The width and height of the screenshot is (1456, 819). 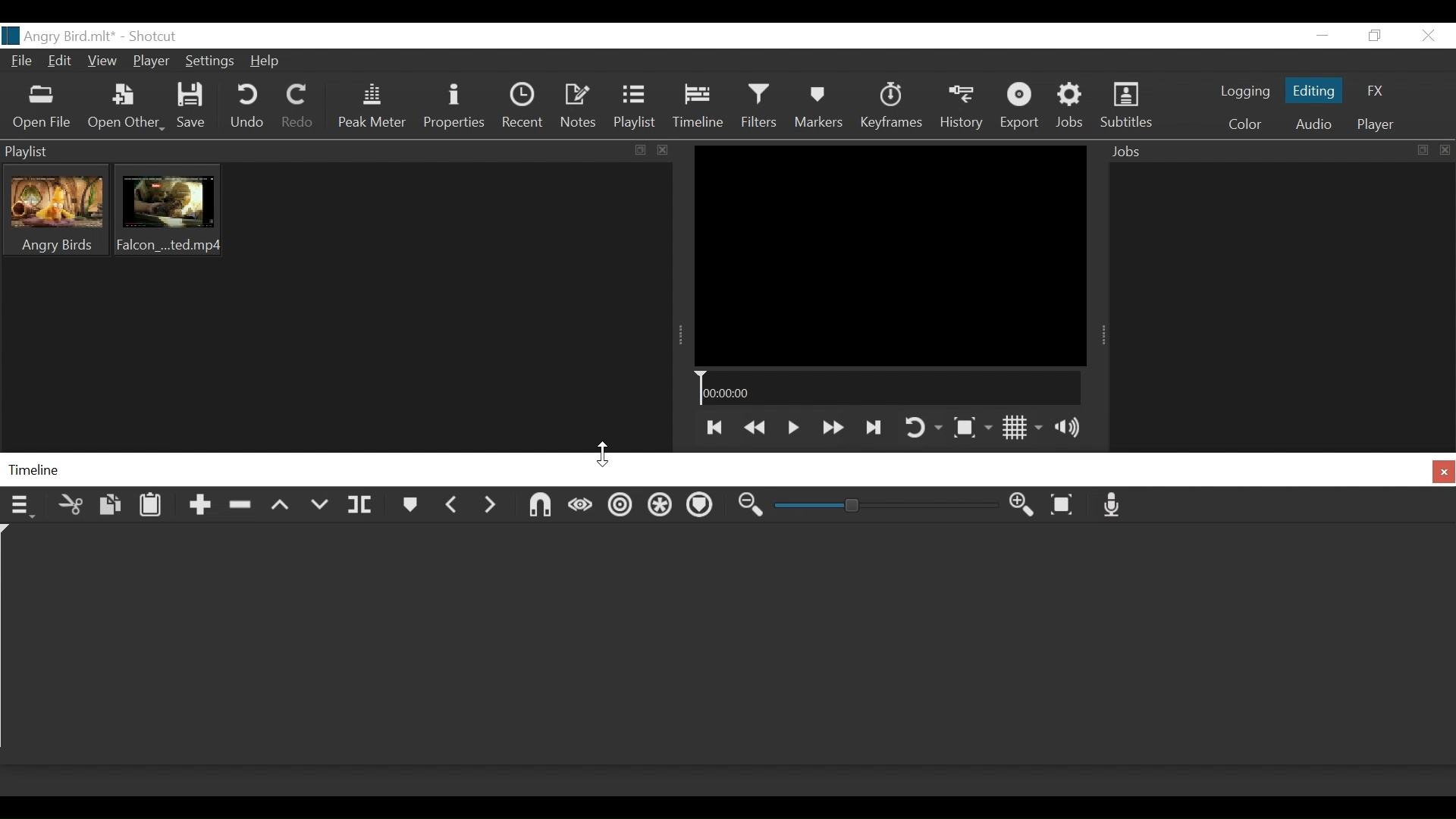 I want to click on Peak Meter, so click(x=374, y=108).